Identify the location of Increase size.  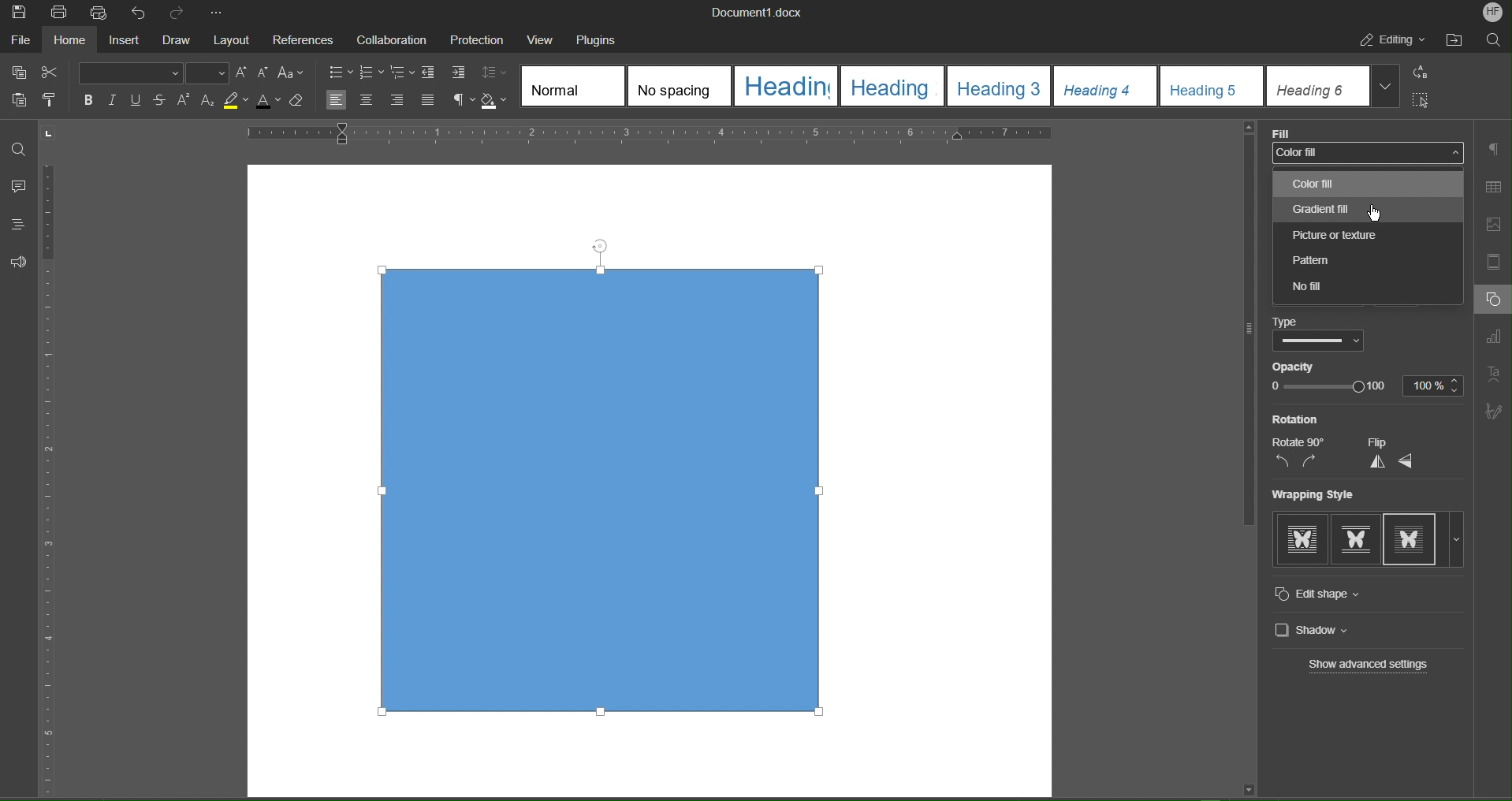
(241, 72).